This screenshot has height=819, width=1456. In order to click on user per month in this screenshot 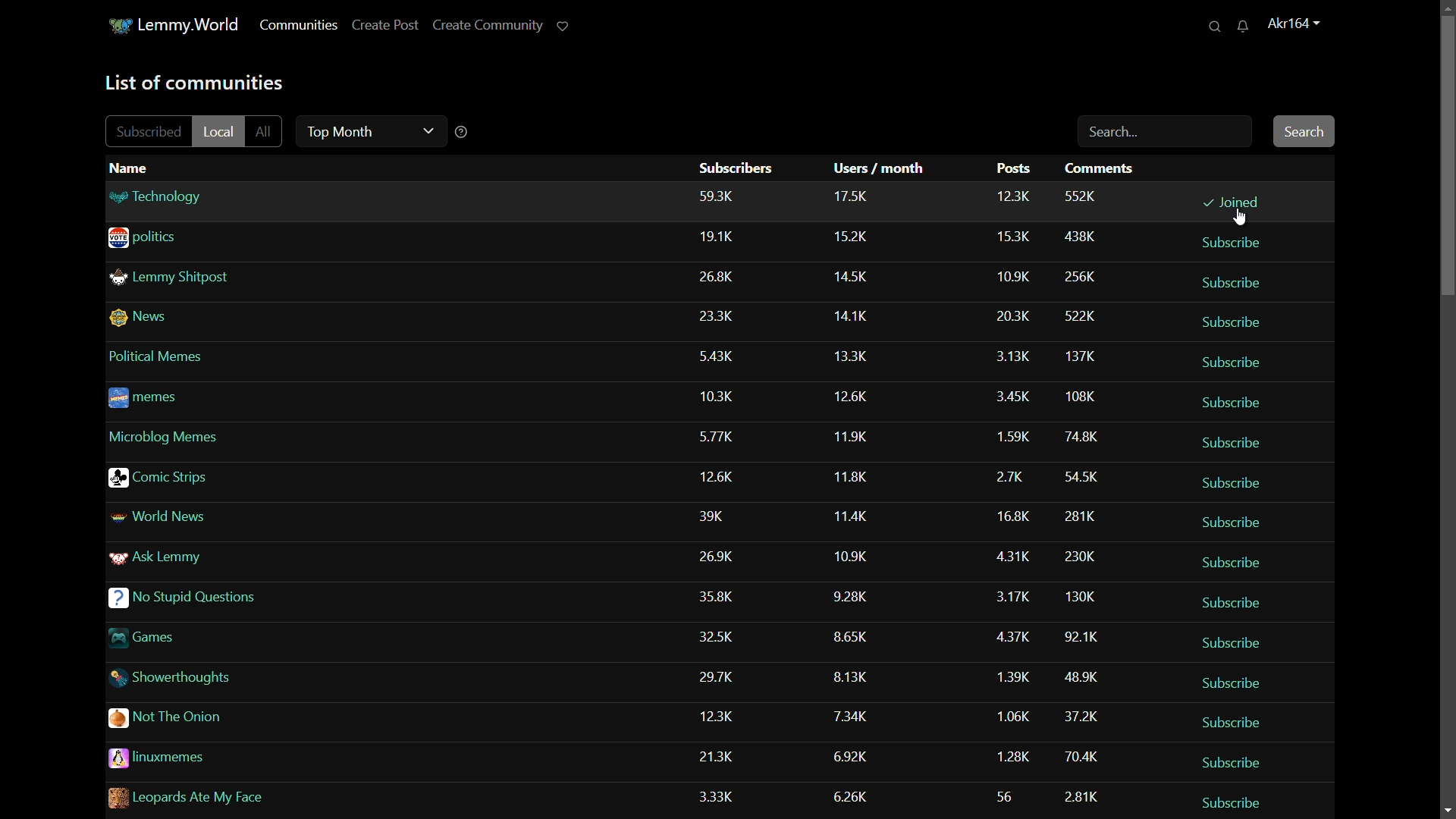, I will do `click(858, 754)`.